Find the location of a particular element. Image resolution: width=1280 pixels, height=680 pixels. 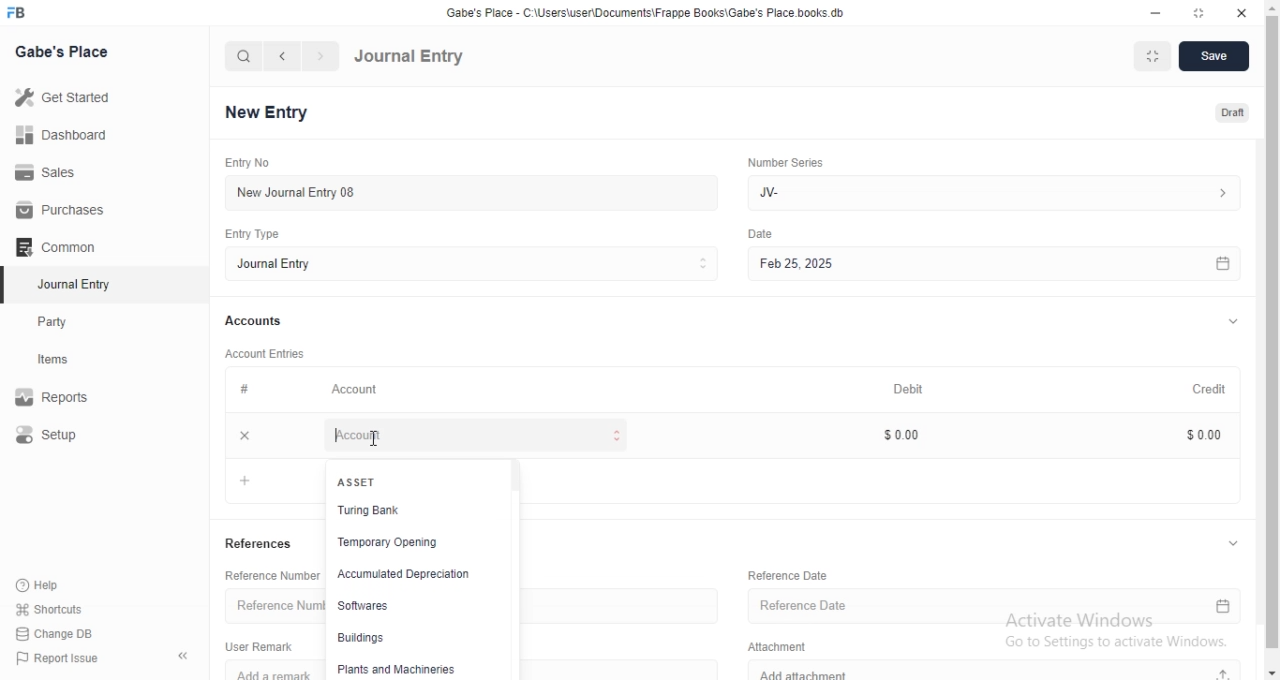

Draft is located at coordinates (1230, 111).